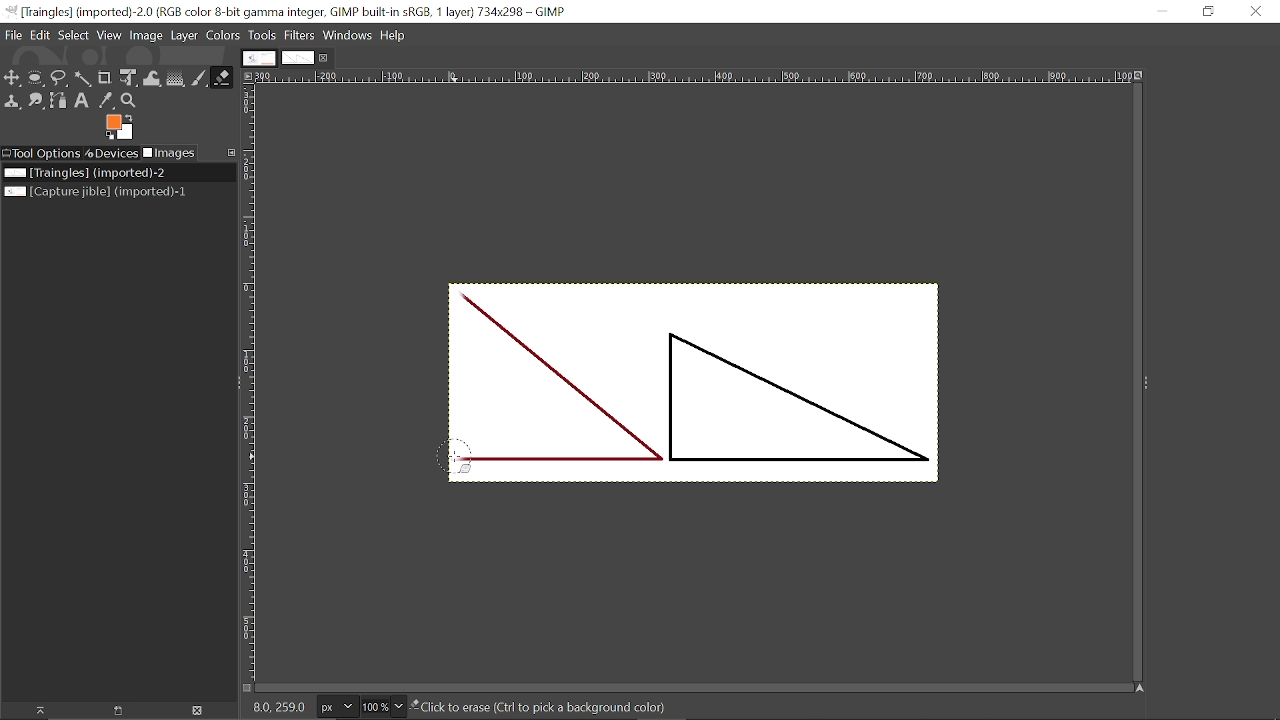  I want to click on Help, so click(394, 35).